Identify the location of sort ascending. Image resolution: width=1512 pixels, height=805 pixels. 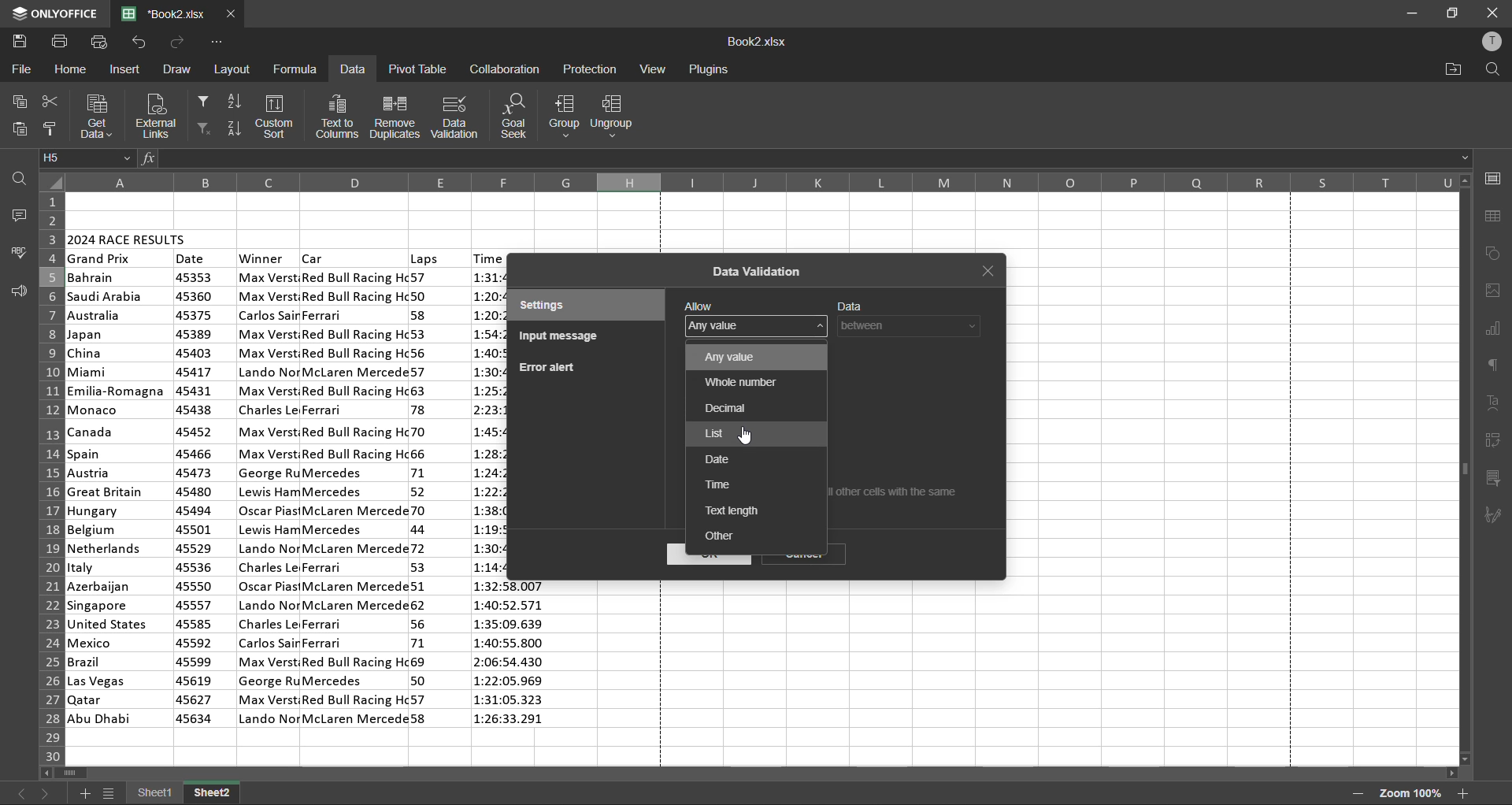
(235, 104).